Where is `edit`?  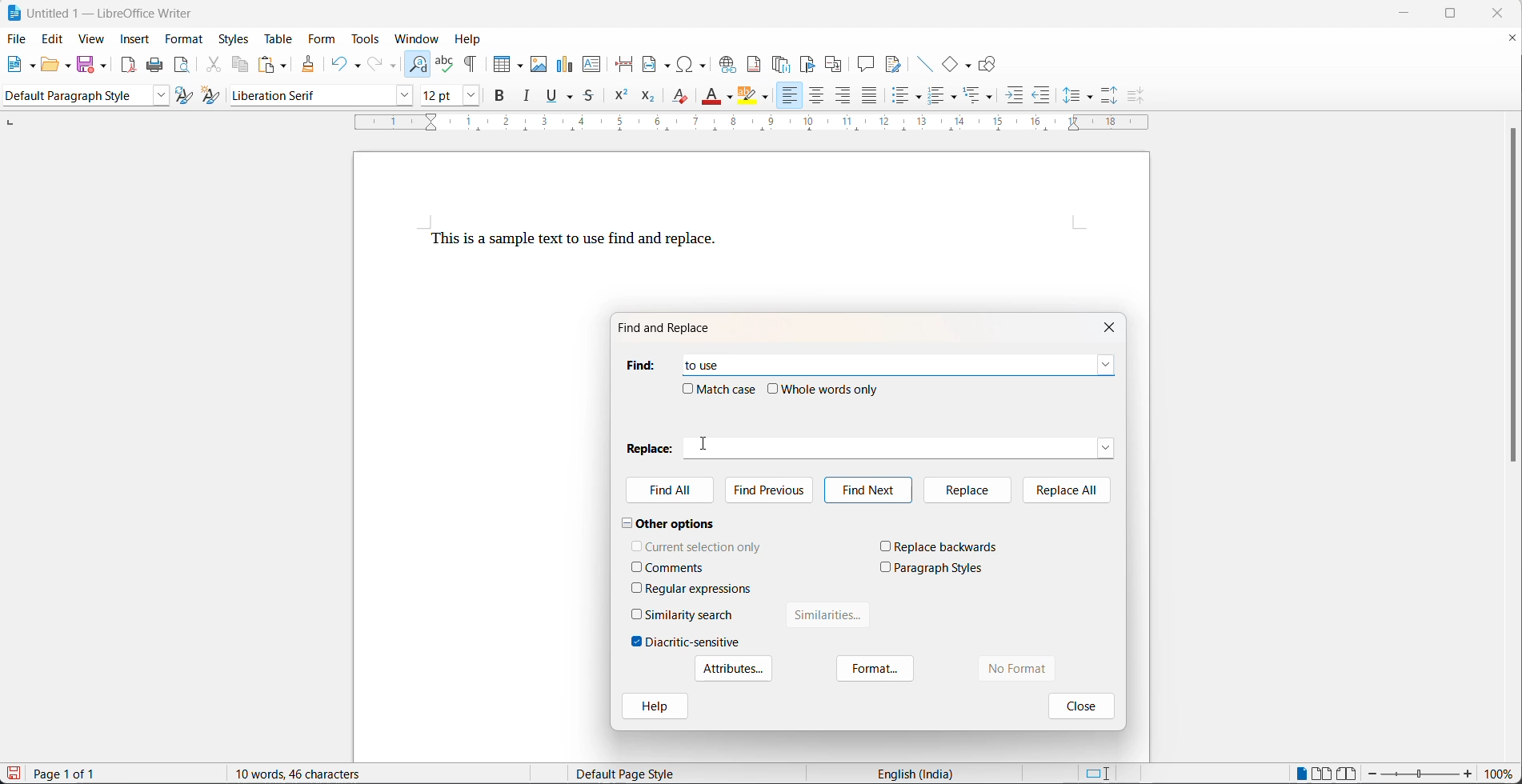
edit is located at coordinates (54, 40).